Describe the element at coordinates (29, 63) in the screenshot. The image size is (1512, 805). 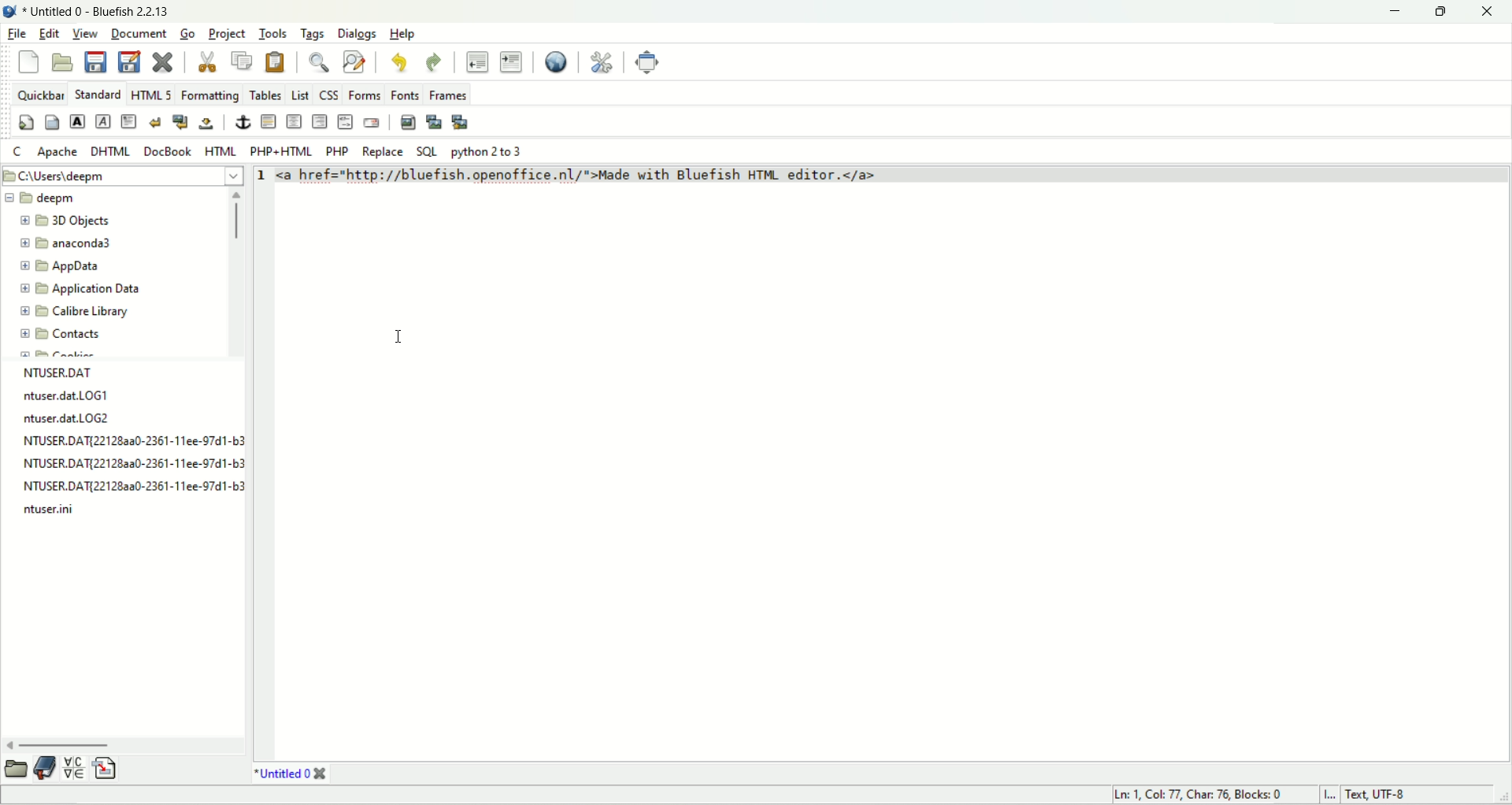
I see `new` at that location.